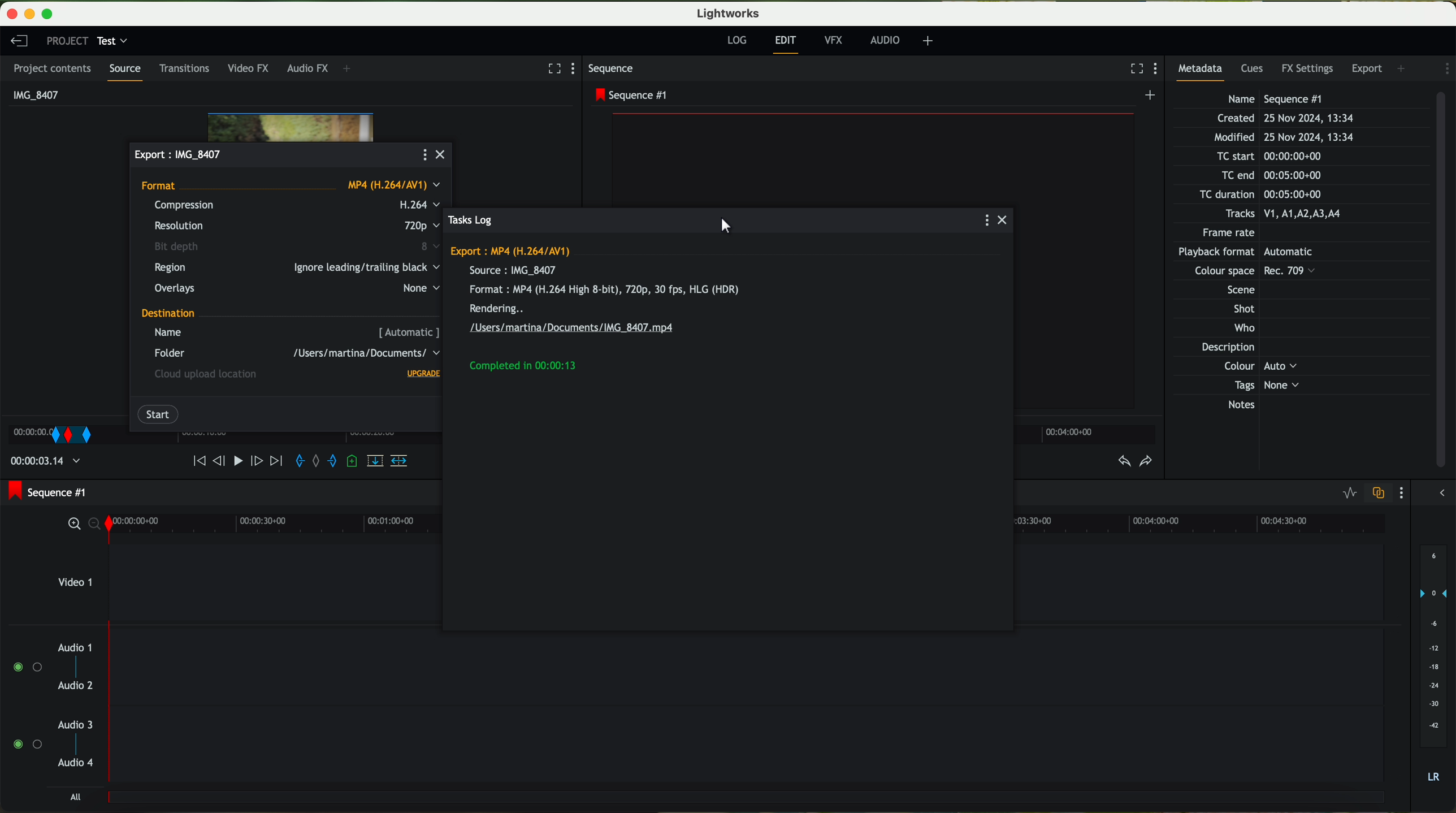 This screenshot has width=1456, height=813. I want to click on track, so click(749, 746).